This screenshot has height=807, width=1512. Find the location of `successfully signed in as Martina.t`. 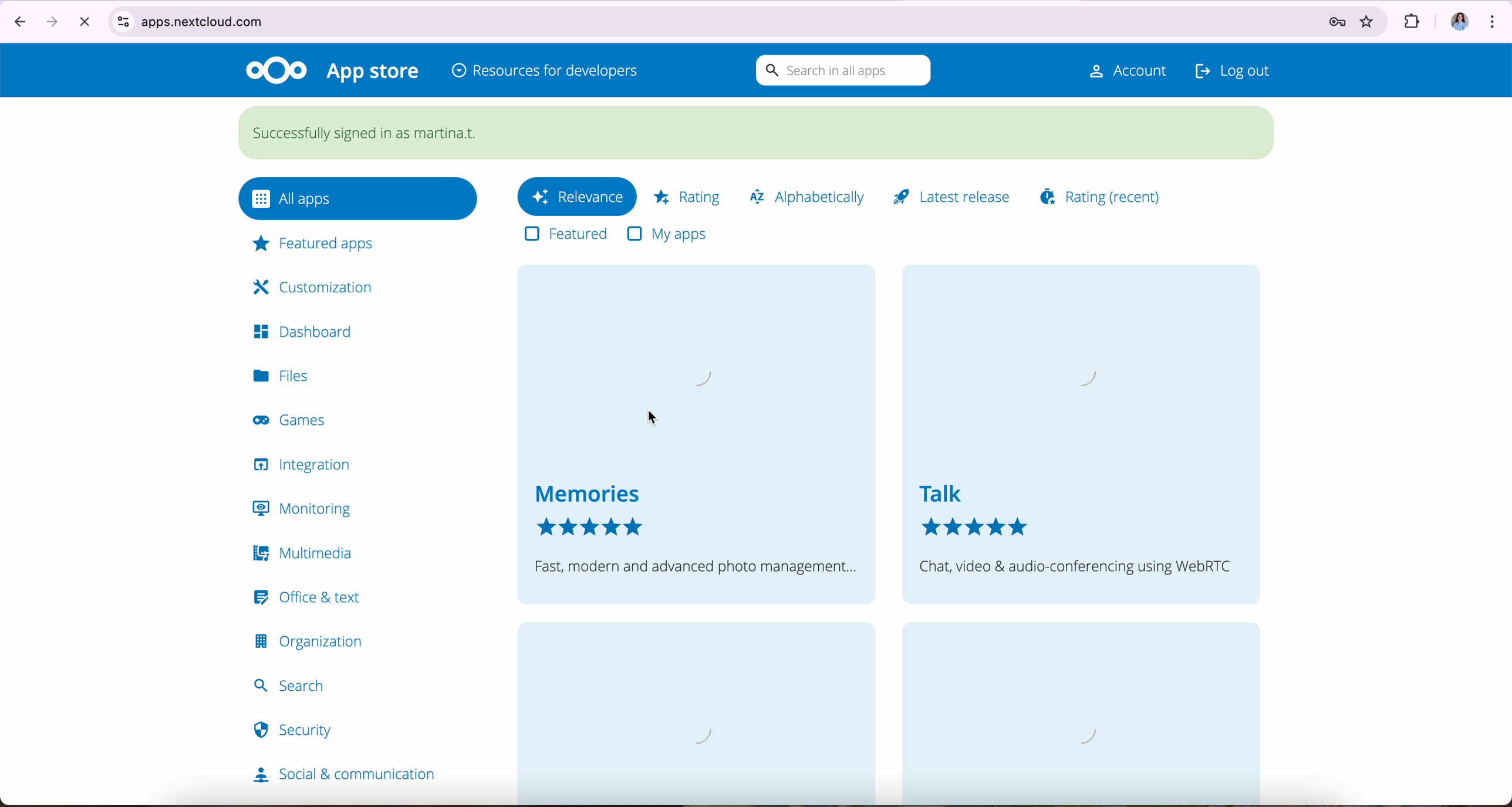

successfully signed in as Martina.t is located at coordinates (758, 130).